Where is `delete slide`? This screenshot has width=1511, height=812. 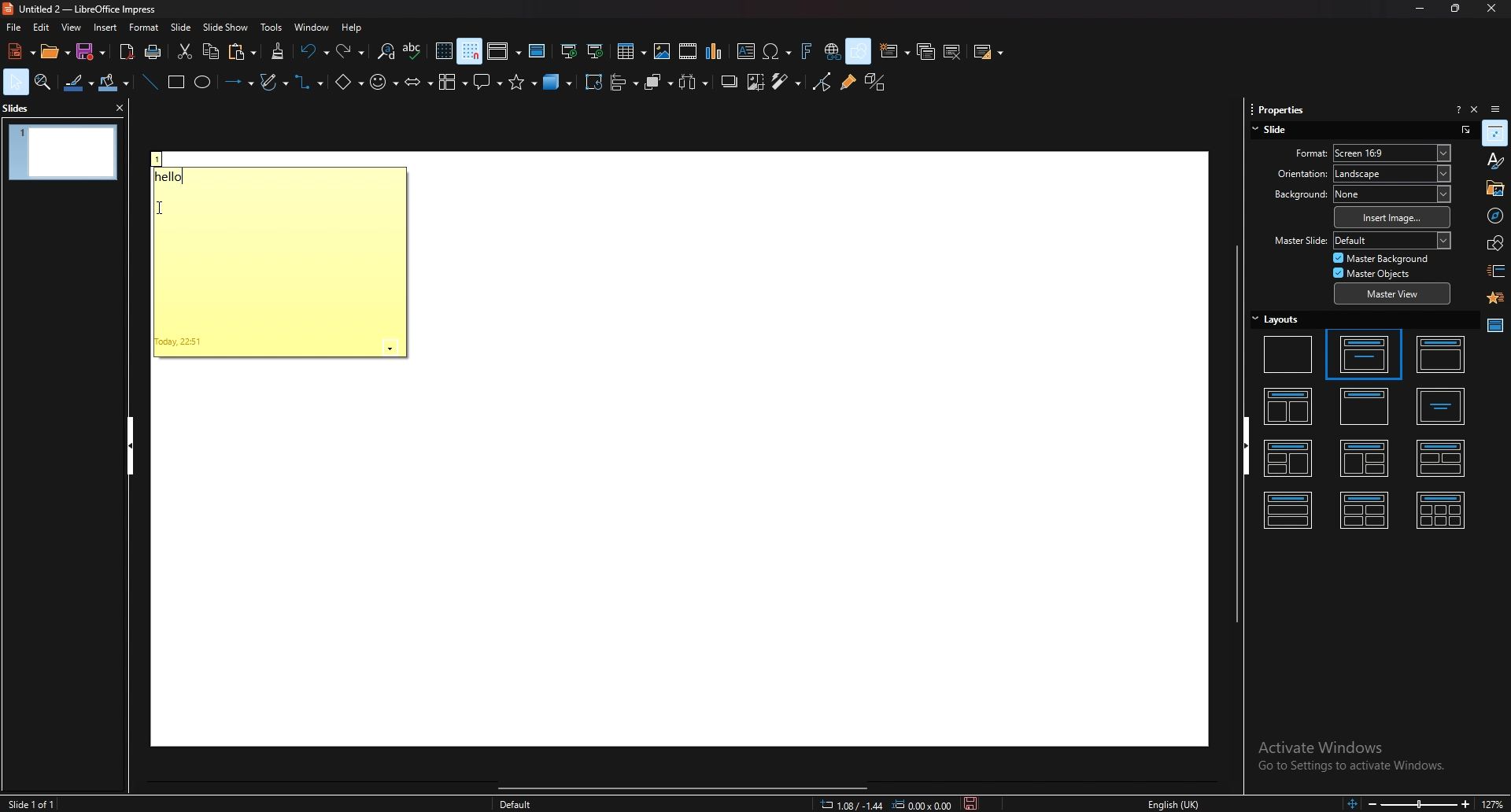
delete slide is located at coordinates (954, 51).